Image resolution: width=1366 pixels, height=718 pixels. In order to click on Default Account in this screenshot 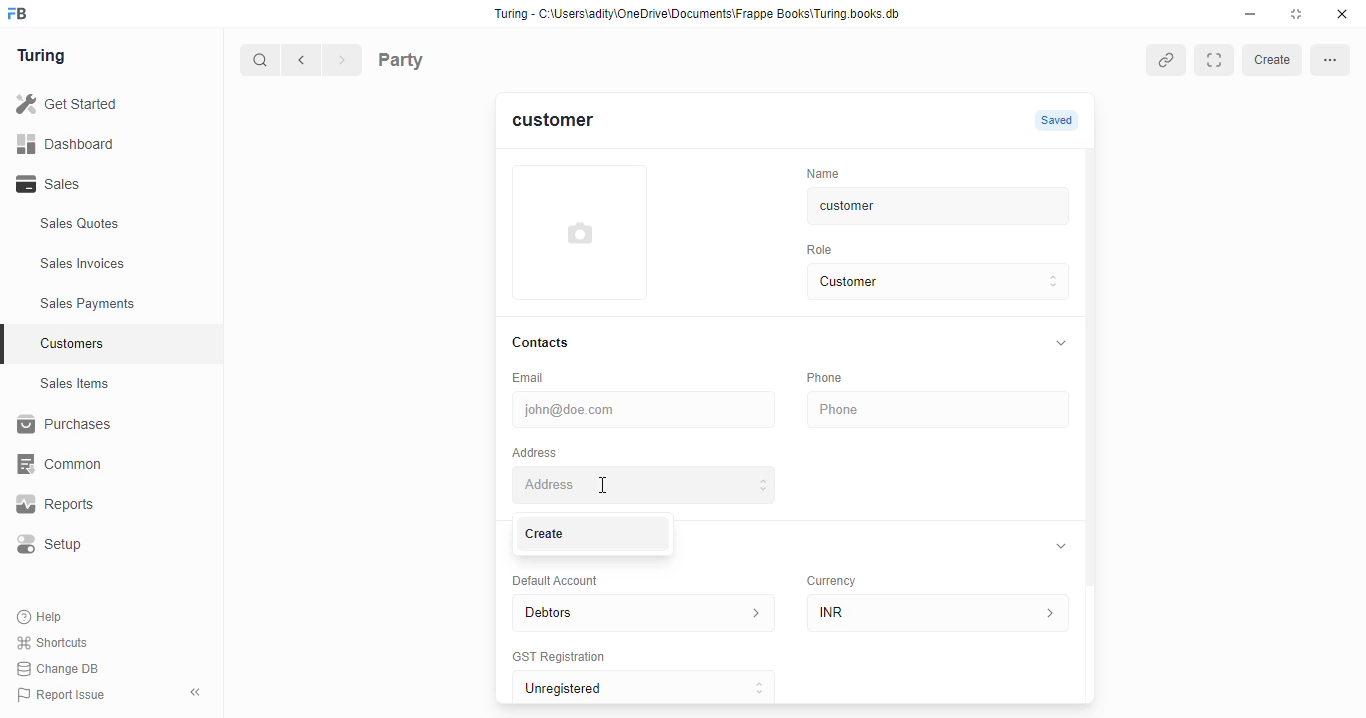, I will do `click(565, 582)`.